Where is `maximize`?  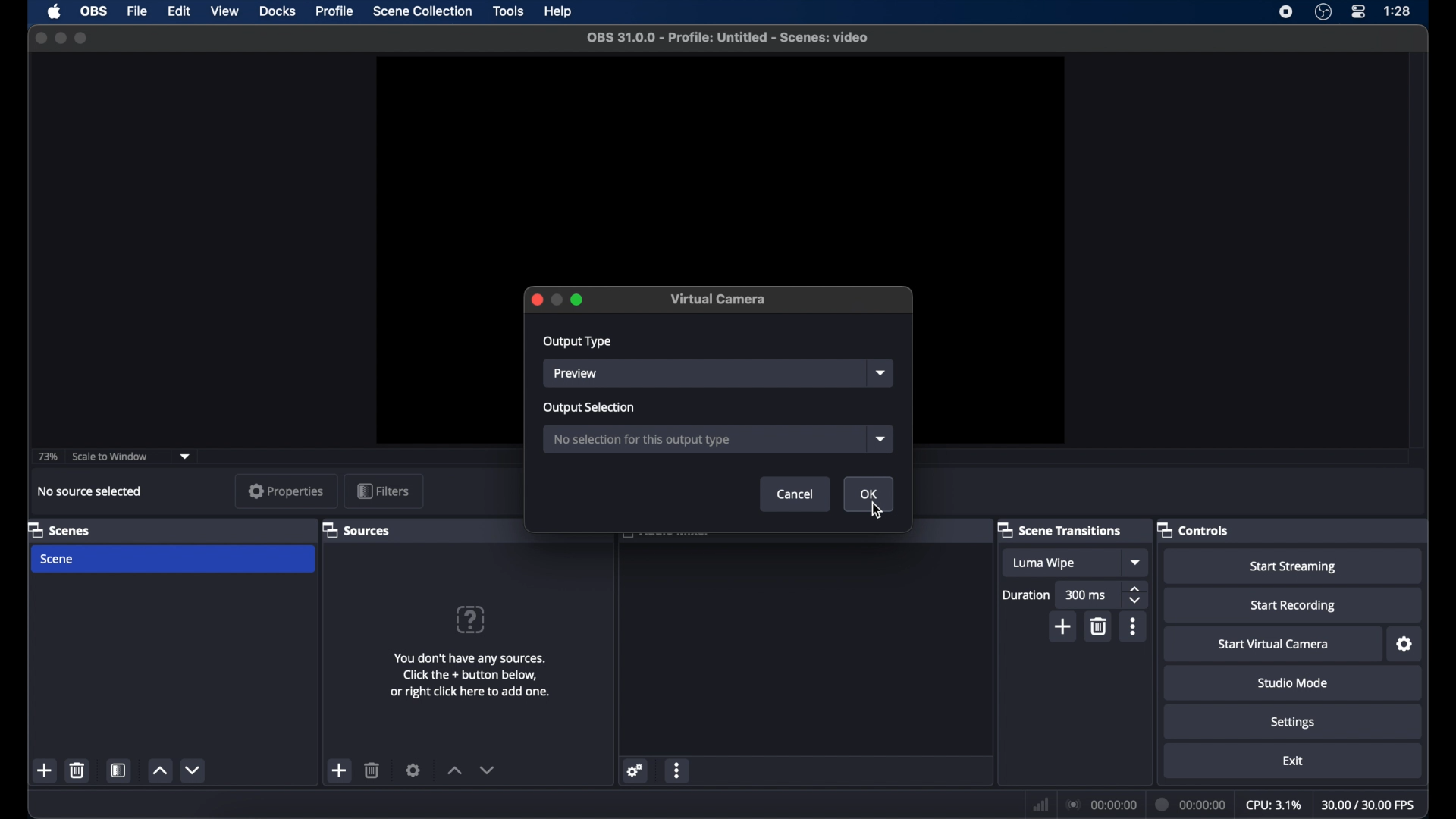
maximize is located at coordinates (83, 38).